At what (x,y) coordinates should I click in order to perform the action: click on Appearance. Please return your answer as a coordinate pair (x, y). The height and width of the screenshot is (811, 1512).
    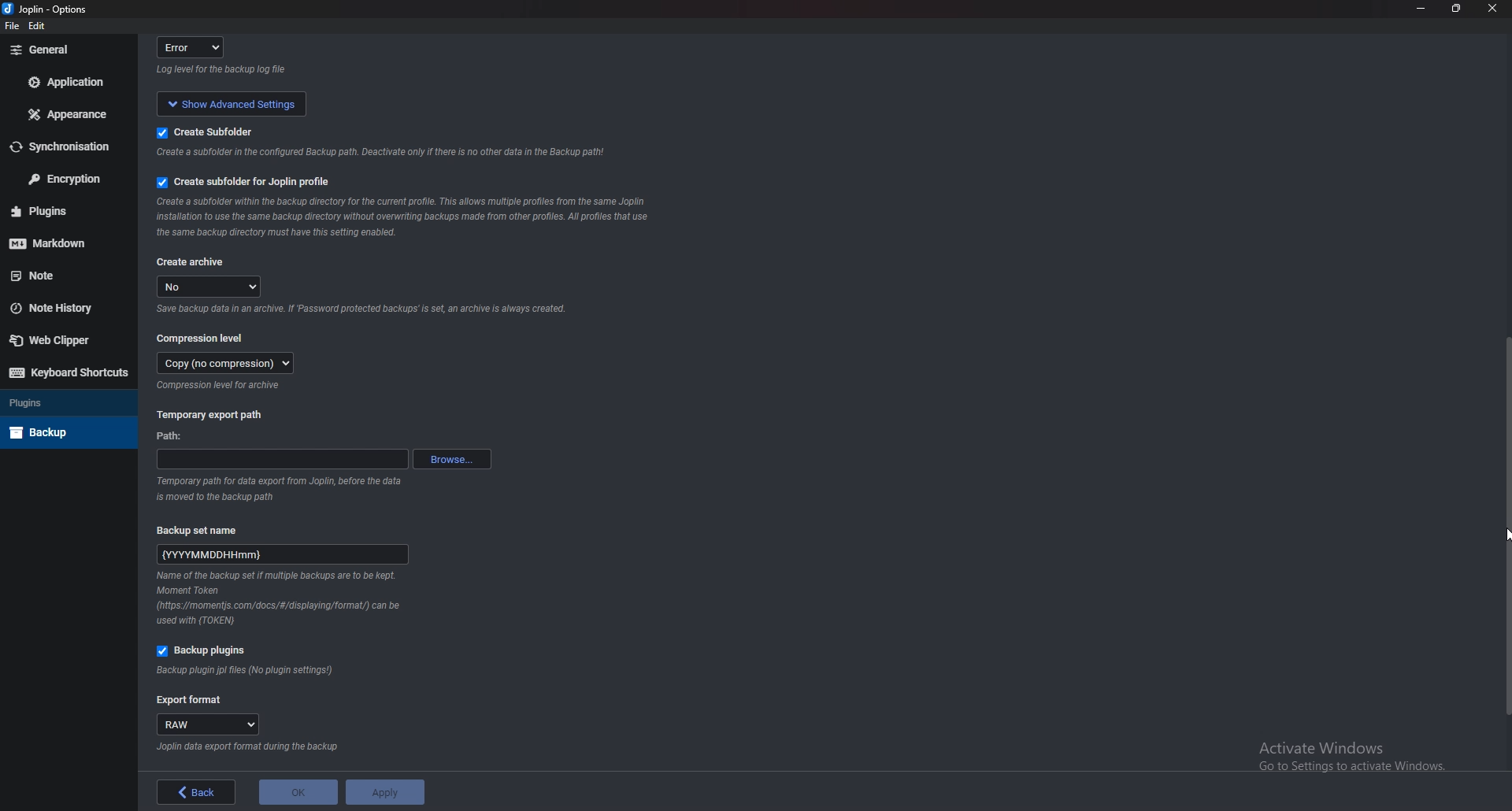
    Looking at the image, I should click on (72, 113).